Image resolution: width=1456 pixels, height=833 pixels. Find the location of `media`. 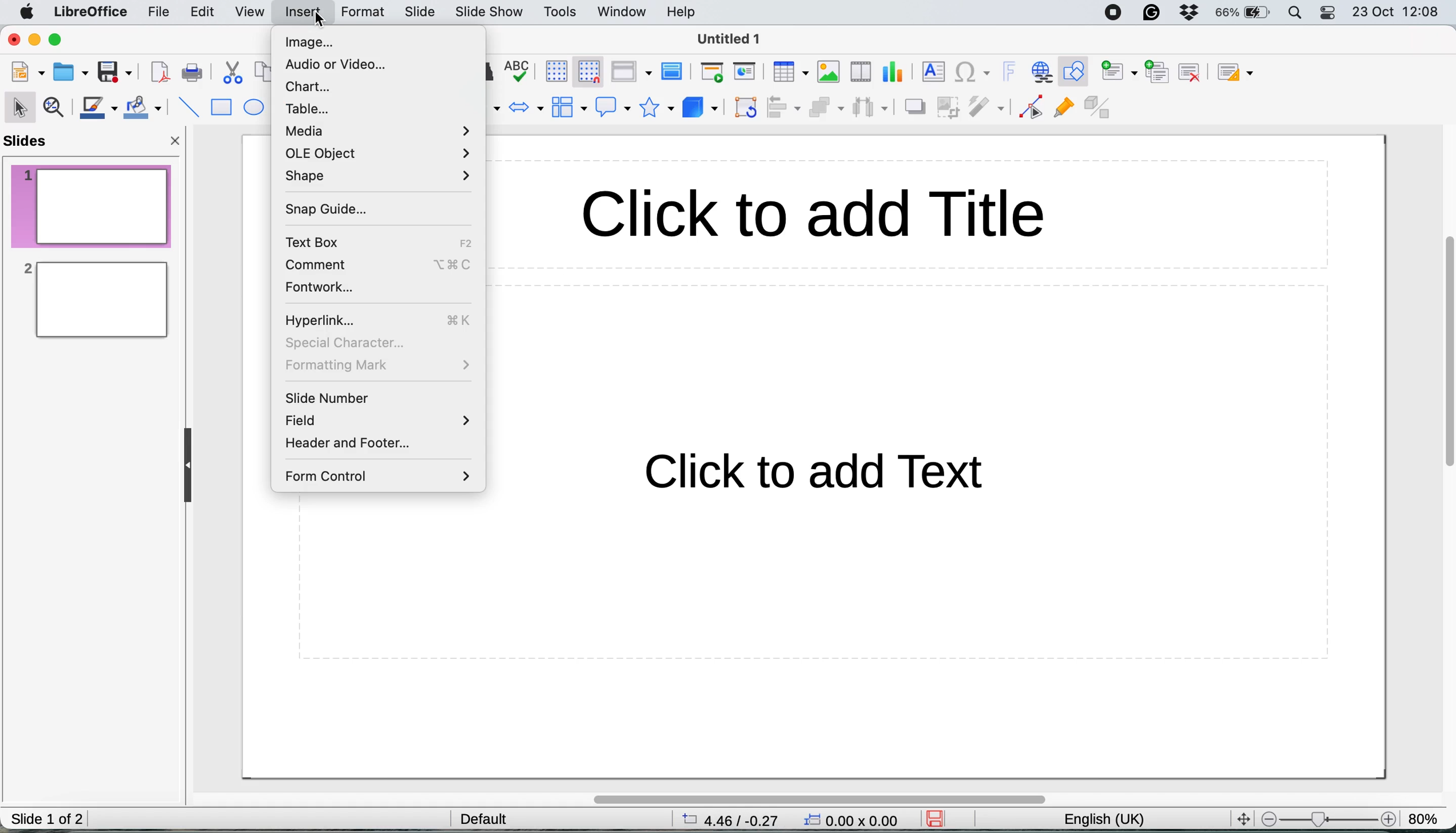

media is located at coordinates (380, 131).